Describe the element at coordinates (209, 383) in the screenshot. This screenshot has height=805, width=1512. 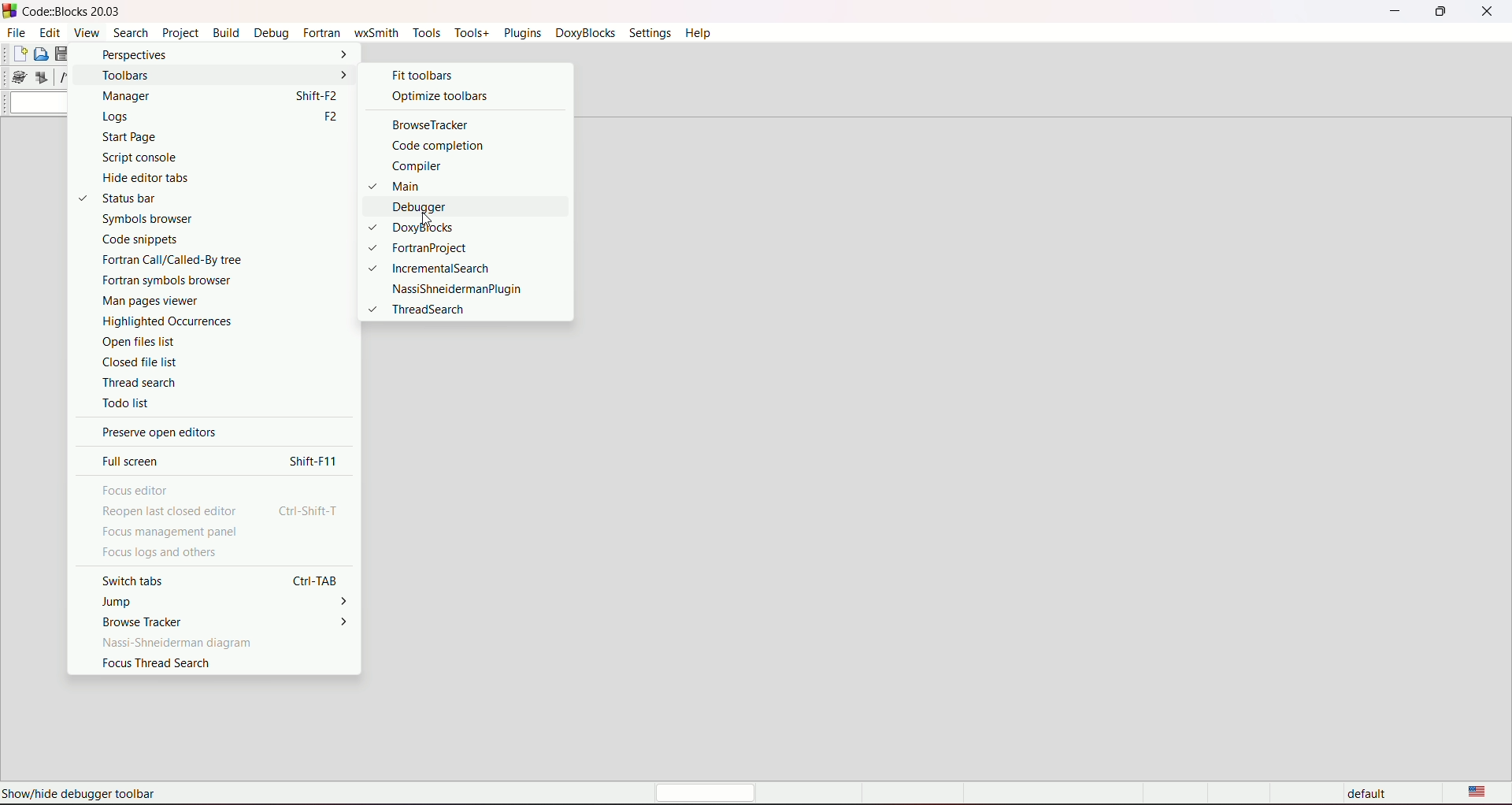
I see `thread search` at that location.